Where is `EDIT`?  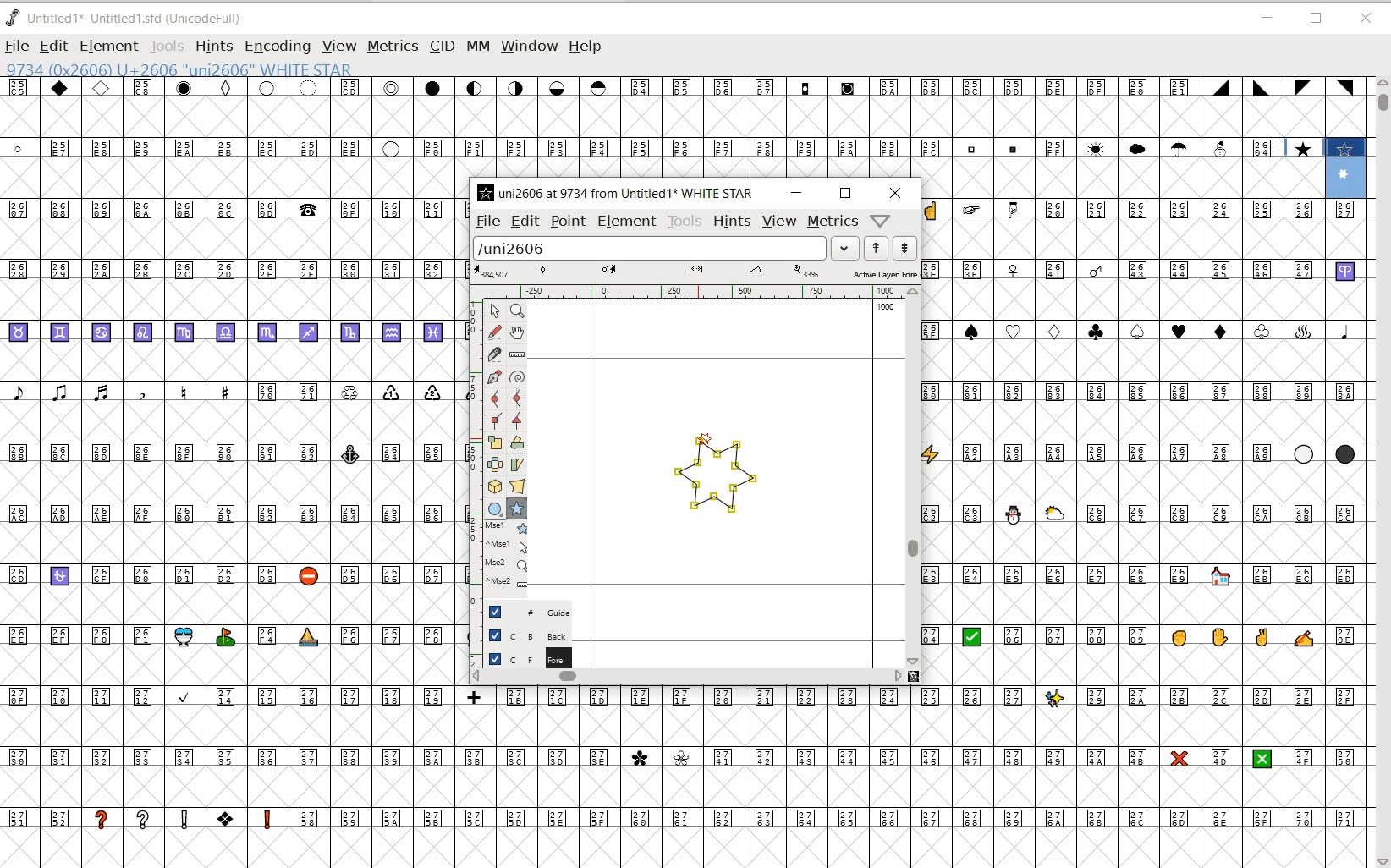
EDIT is located at coordinates (52, 47).